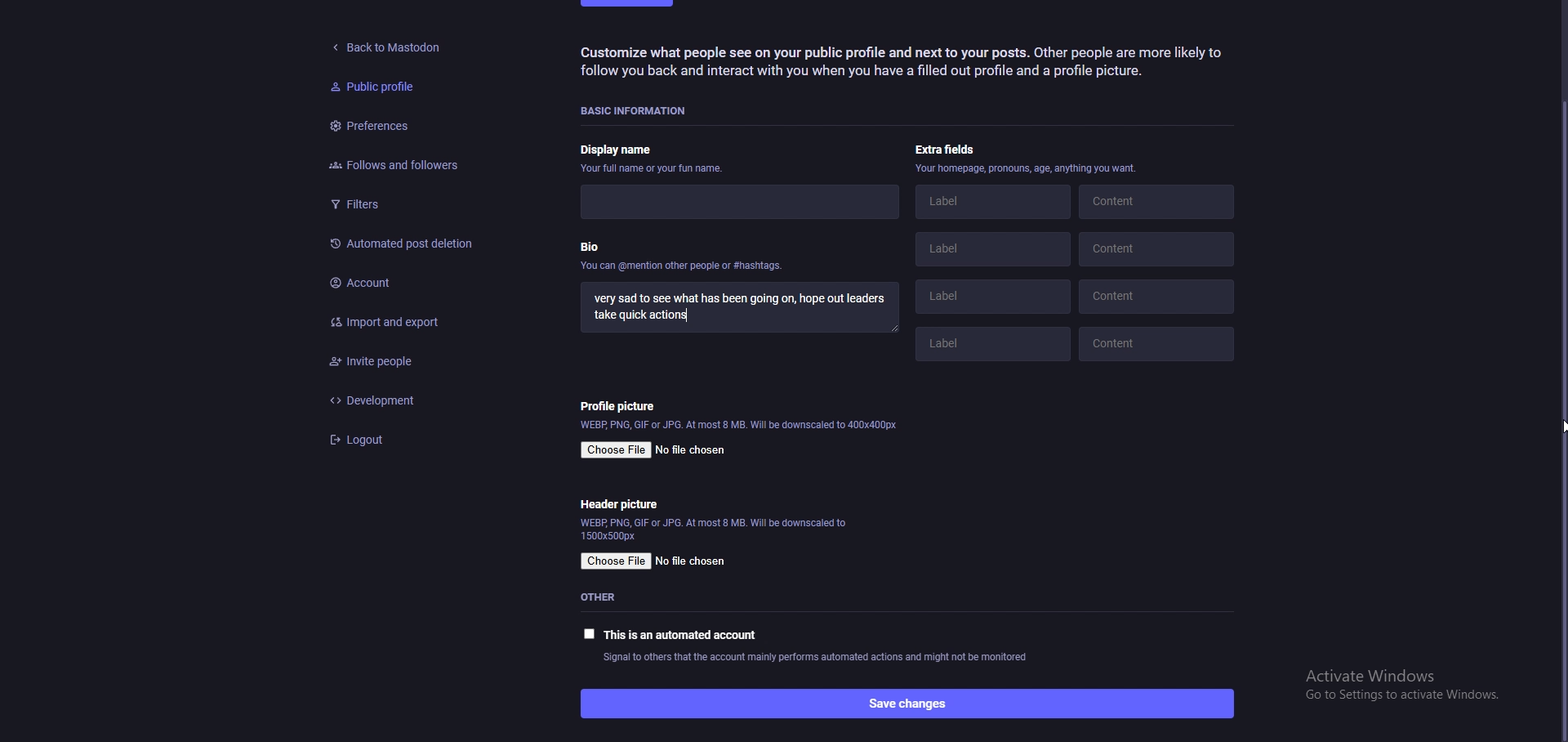 Image resolution: width=1568 pixels, height=742 pixels. Describe the element at coordinates (390, 43) in the screenshot. I see `back to mastodon` at that location.